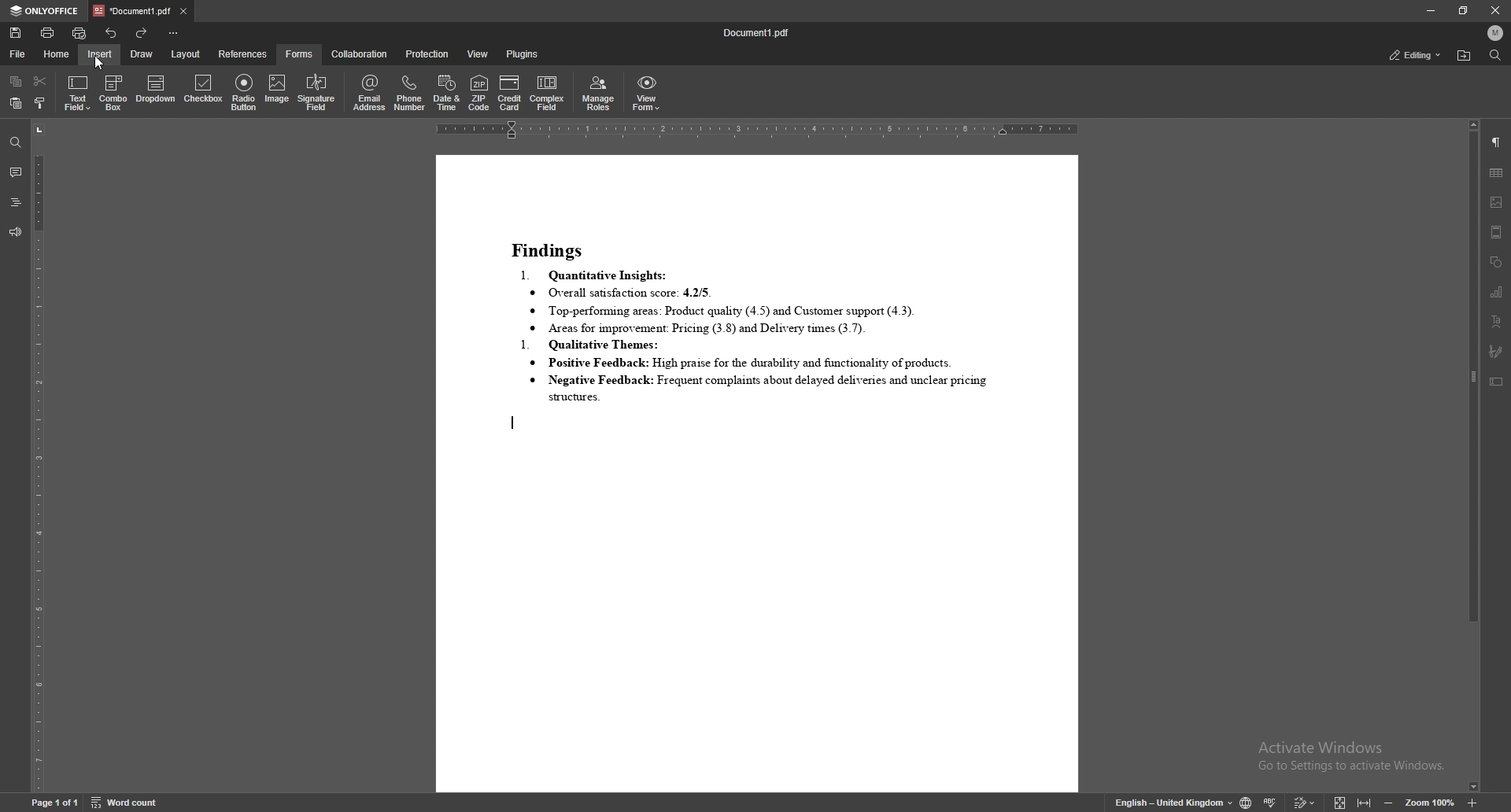 This screenshot has width=1511, height=812. I want to click on word count, so click(127, 802).